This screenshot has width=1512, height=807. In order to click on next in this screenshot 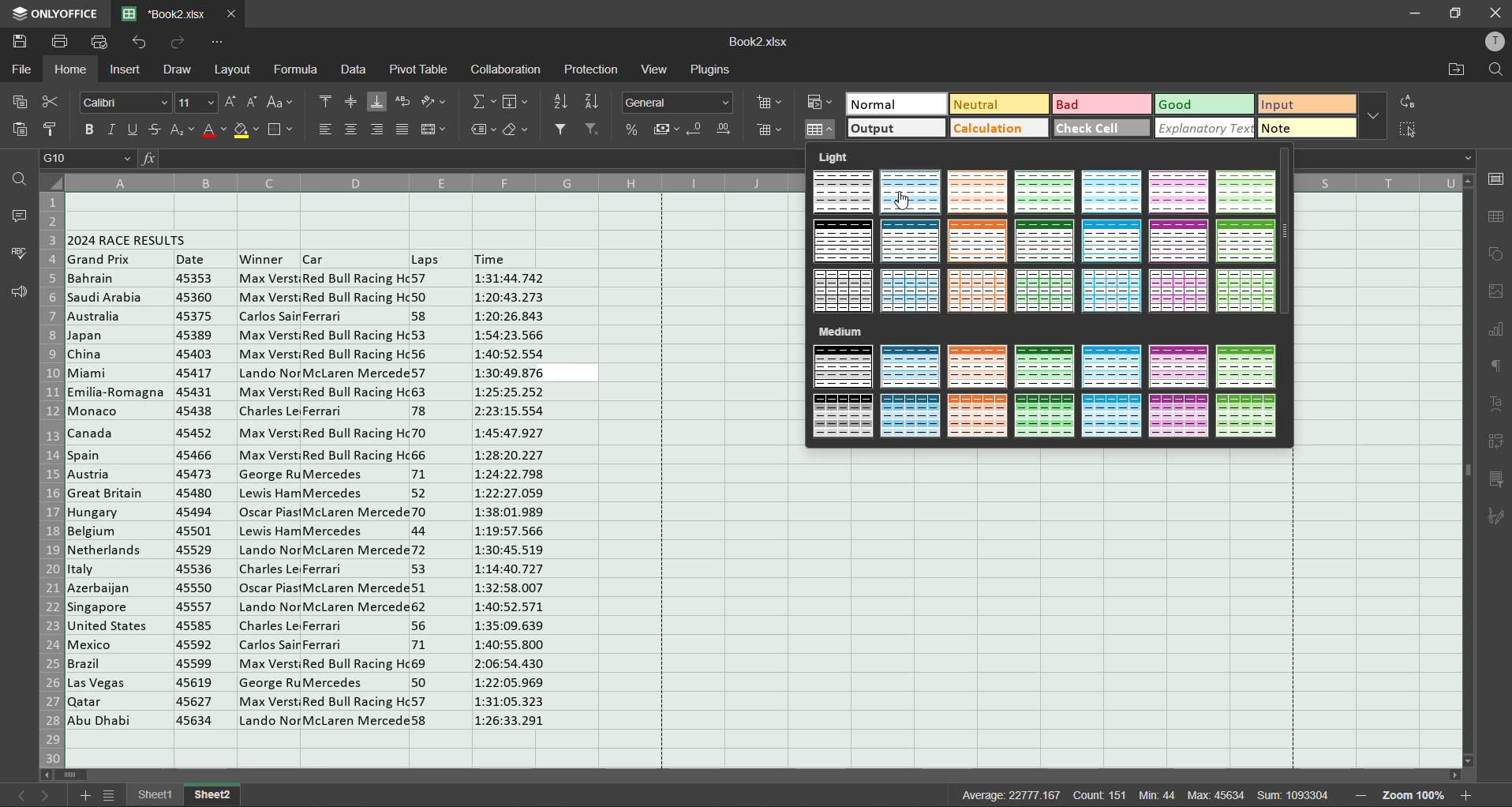, I will do `click(47, 795)`.